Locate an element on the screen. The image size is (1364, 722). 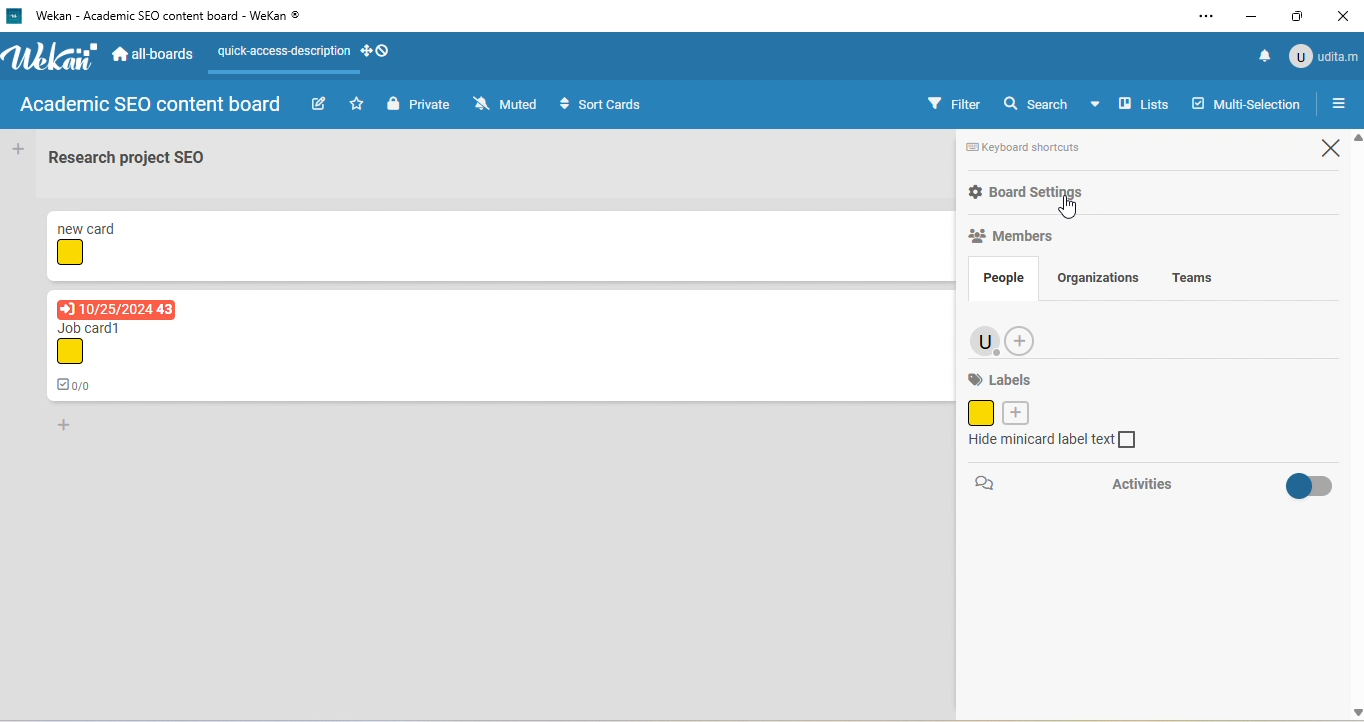
toggle on/off is located at coordinates (1300, 489).